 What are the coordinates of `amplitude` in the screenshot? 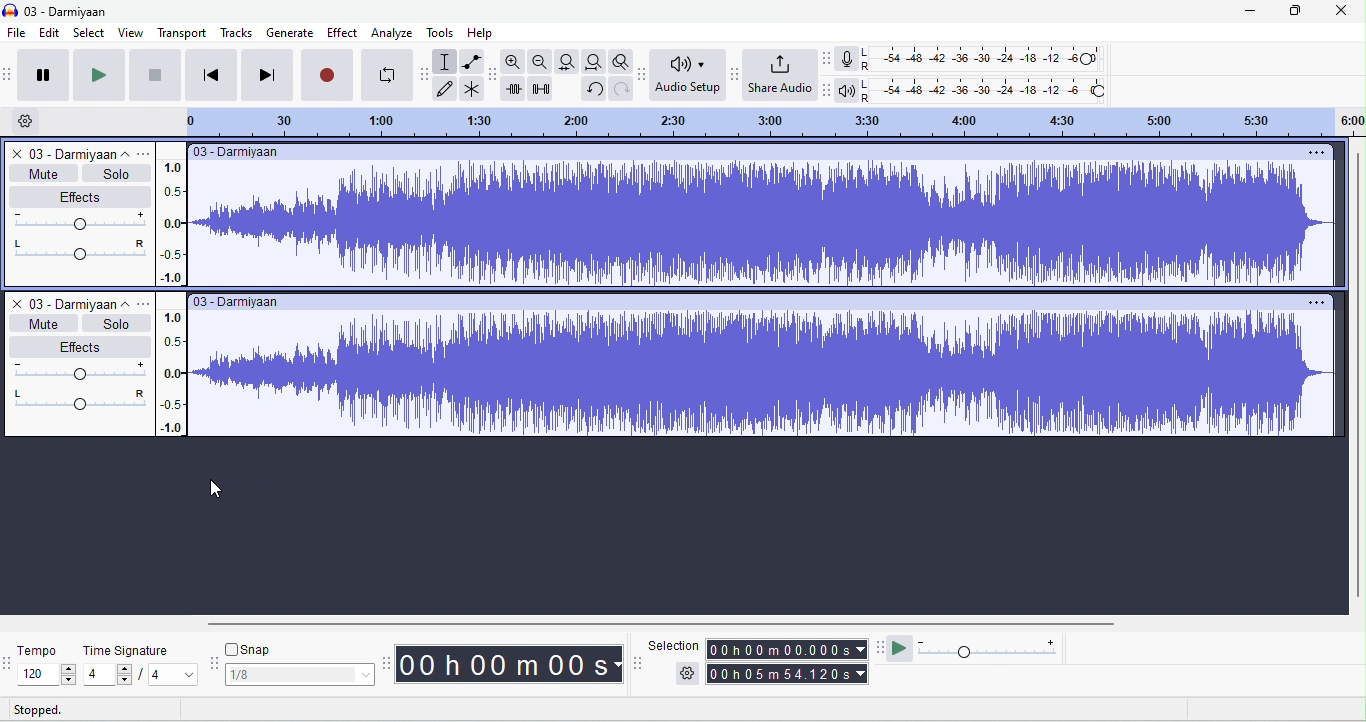 It's located at (172, 297).